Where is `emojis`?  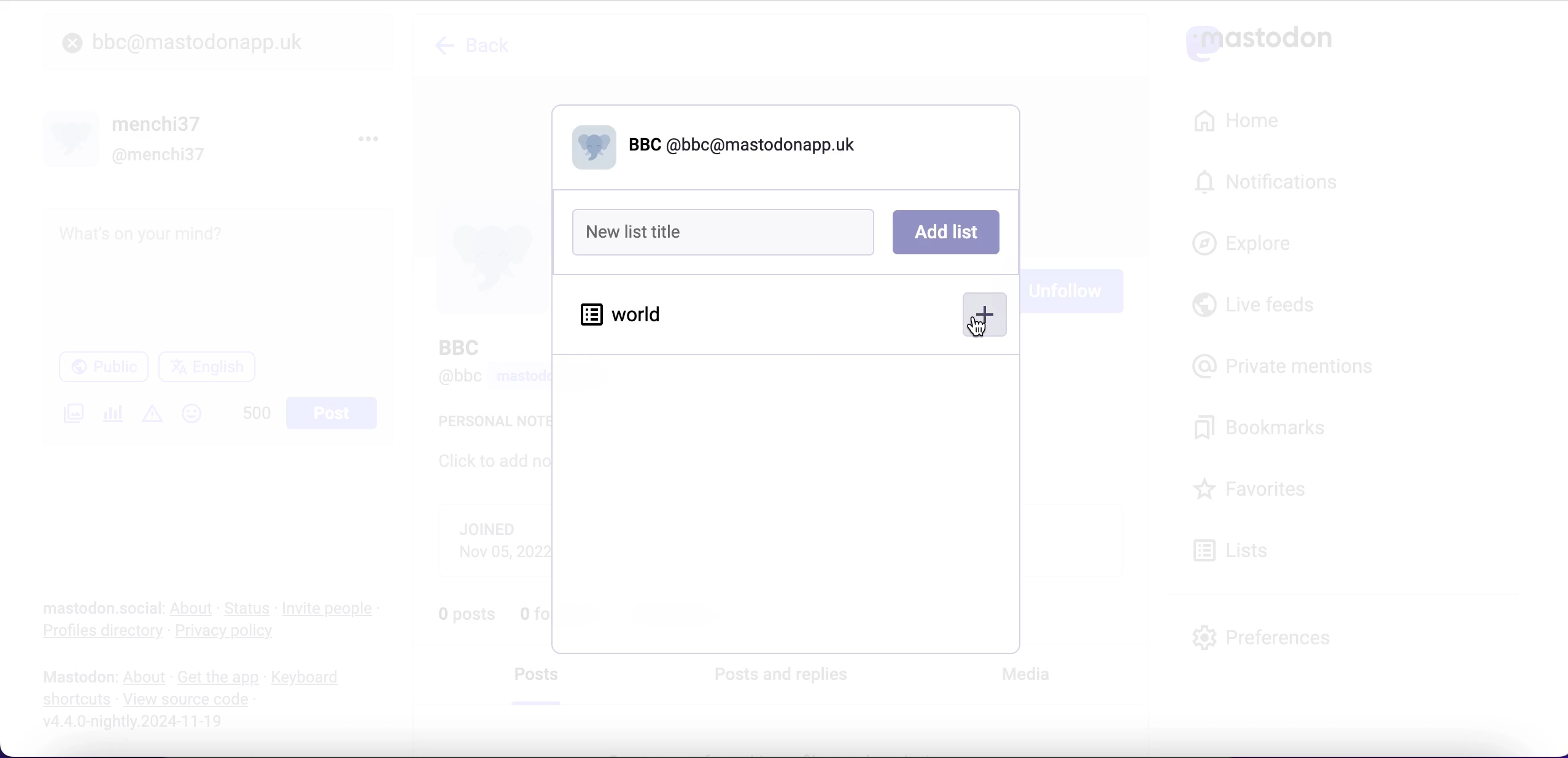
emojis is located at coordinates (197, 420).